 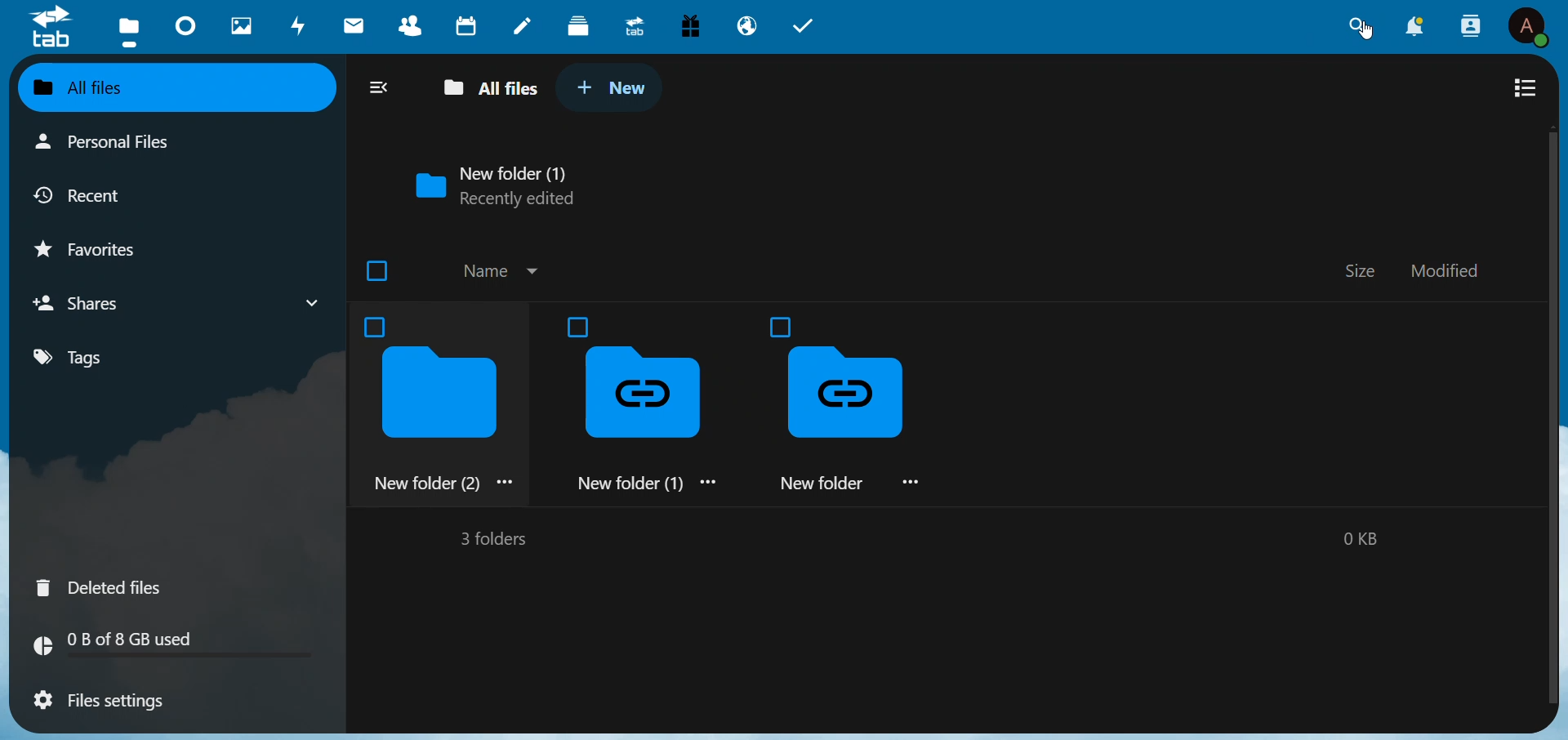 I want to click on checkbox, so click(x=379, y=267).